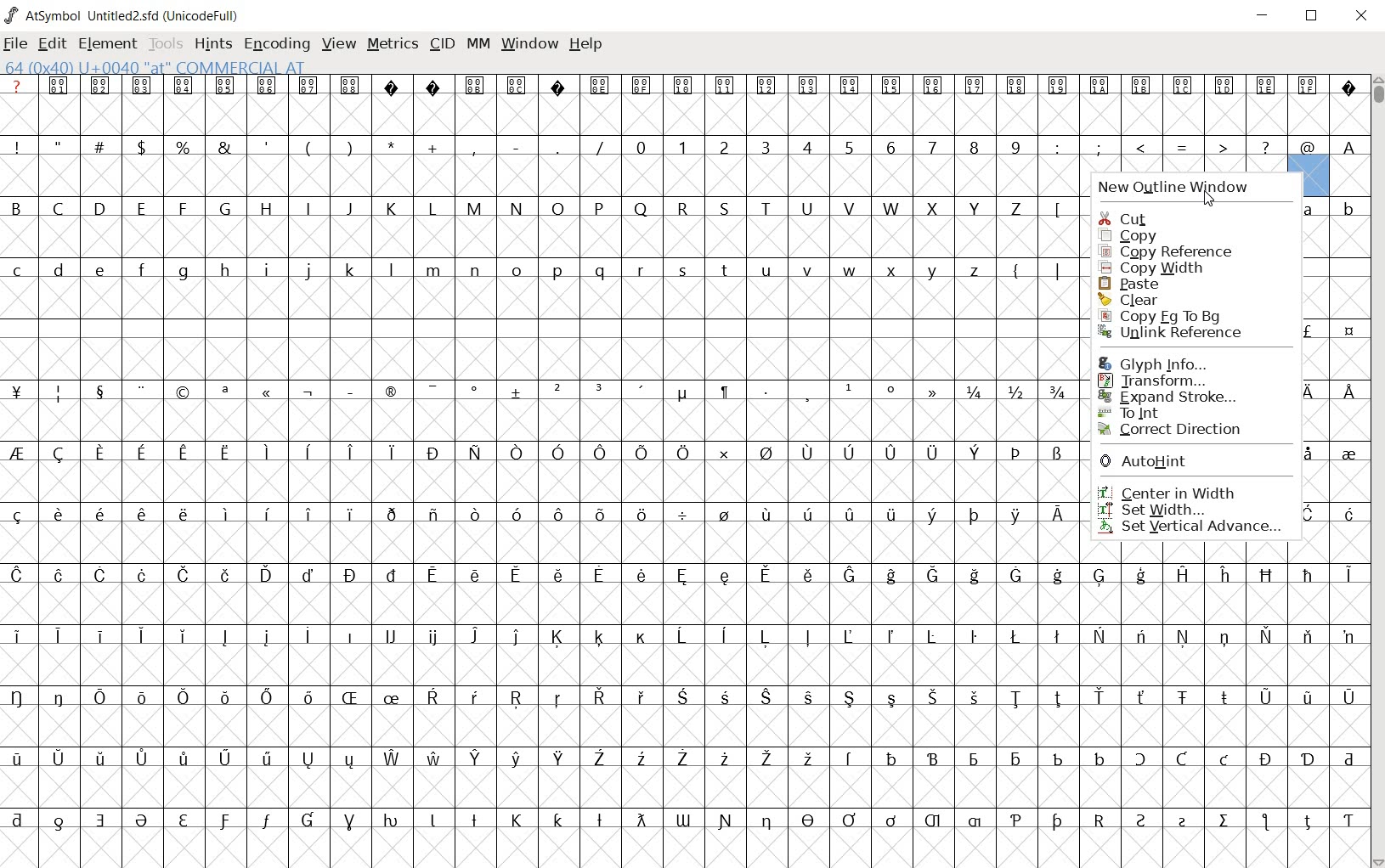 This screenshot has height=868, width=1385. I want to click on HINTS, so click(212, 45).